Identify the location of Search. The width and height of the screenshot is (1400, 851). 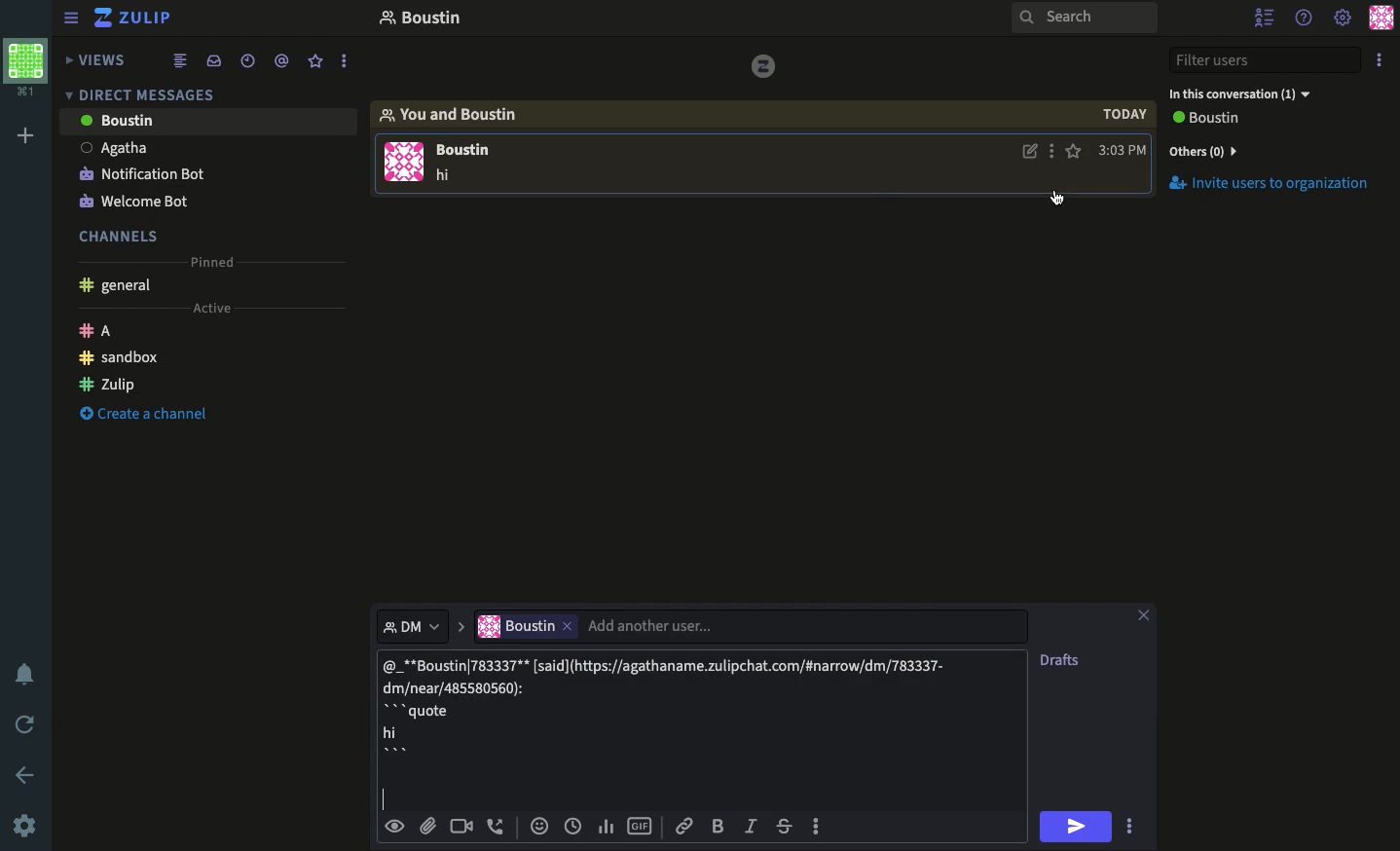
(1084, 19).